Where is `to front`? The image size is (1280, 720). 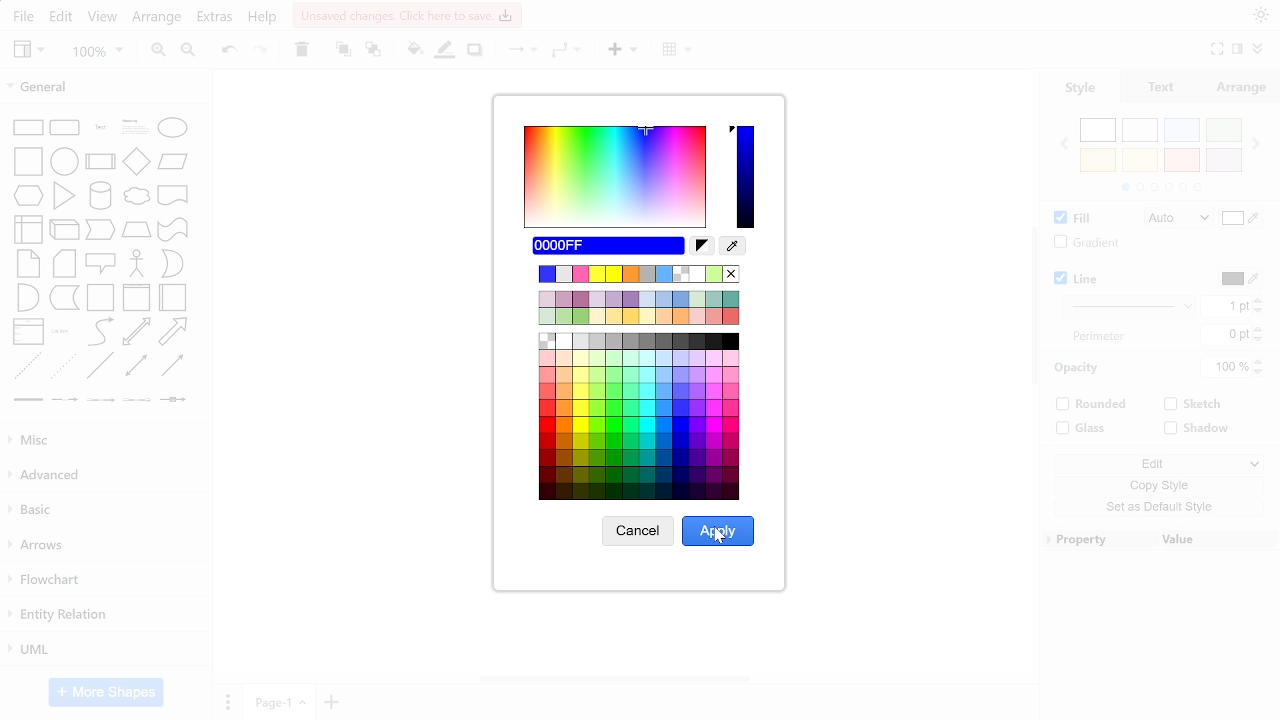
to front is located at coordinates (342, 51).